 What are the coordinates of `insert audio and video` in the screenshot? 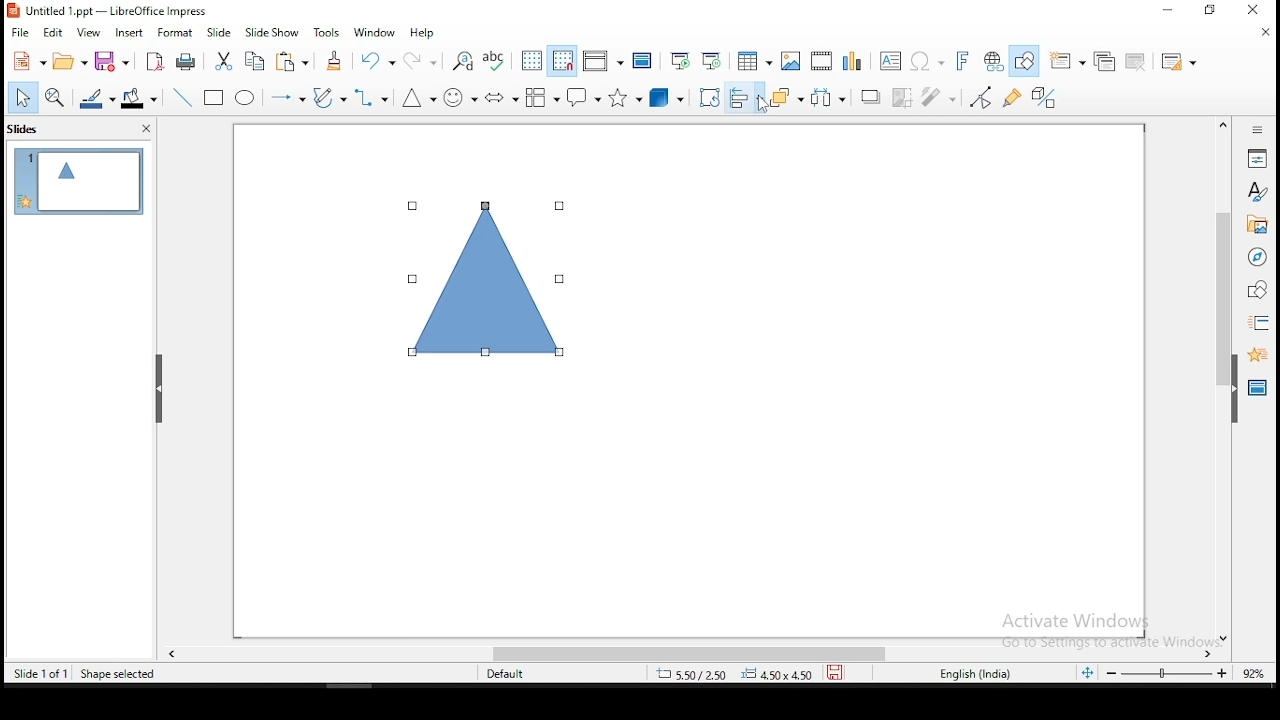 It's located at (821, 59).